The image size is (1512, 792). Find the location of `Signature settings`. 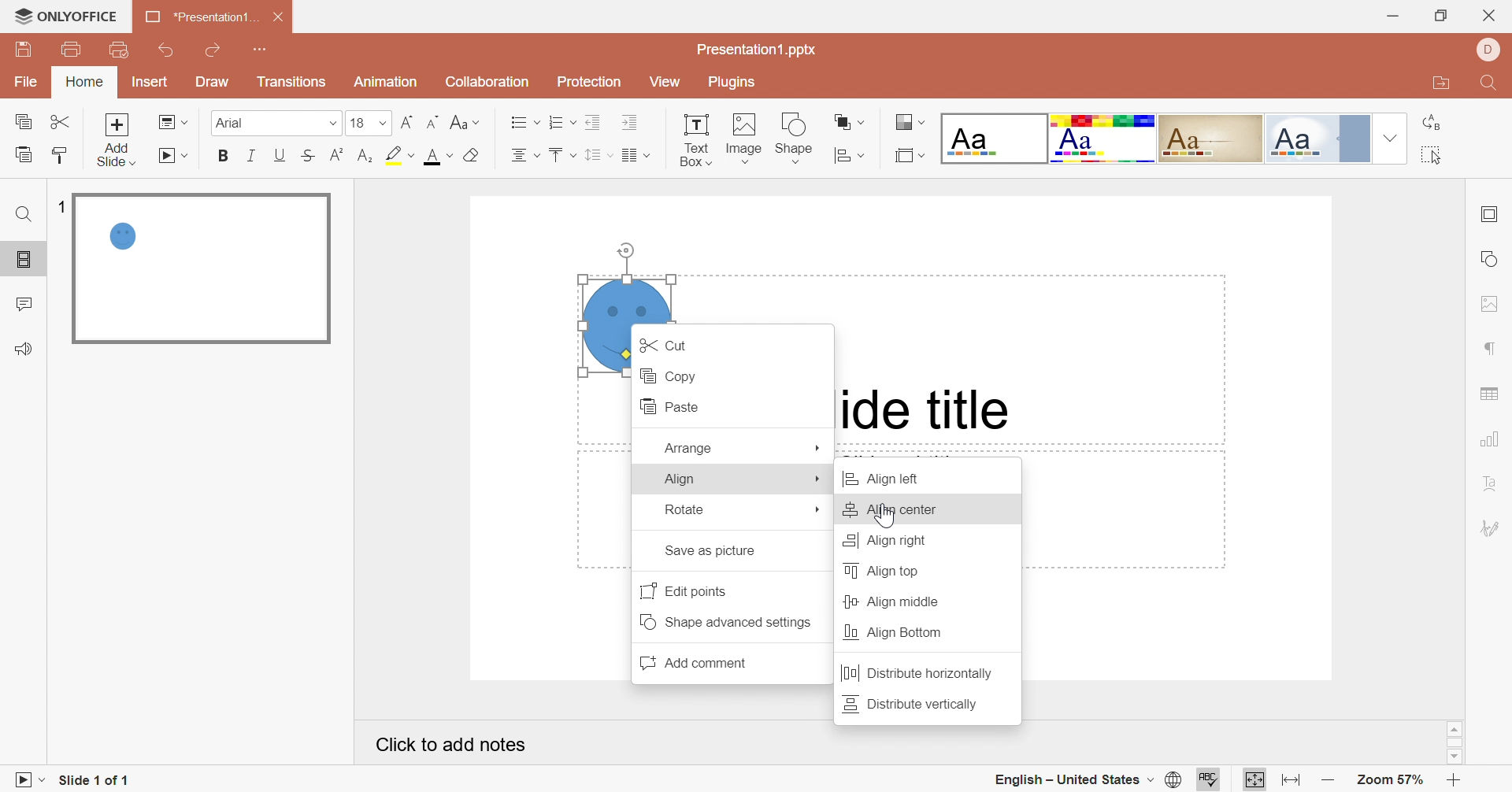

Signature settings is located at coordinates (1492, 526).